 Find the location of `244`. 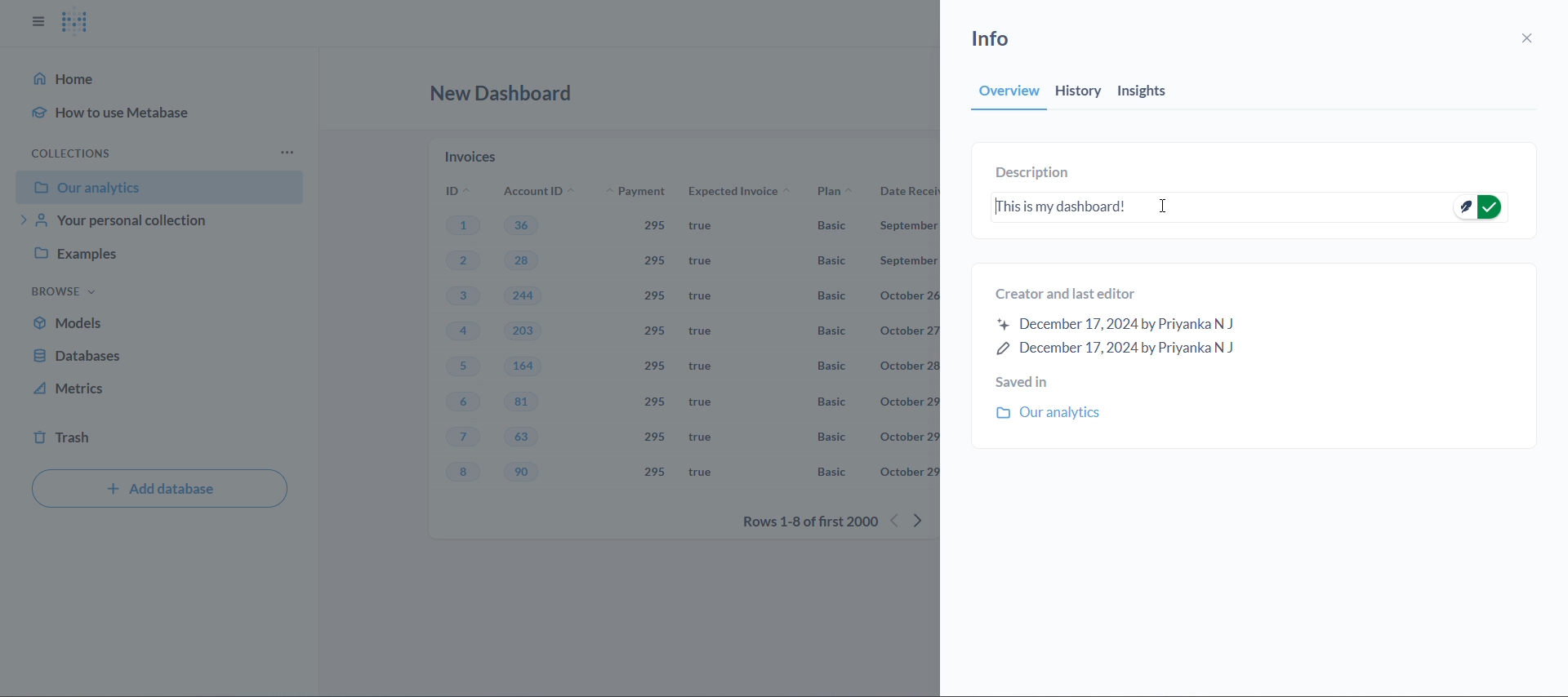

244 is located at coordinates (523, 296).